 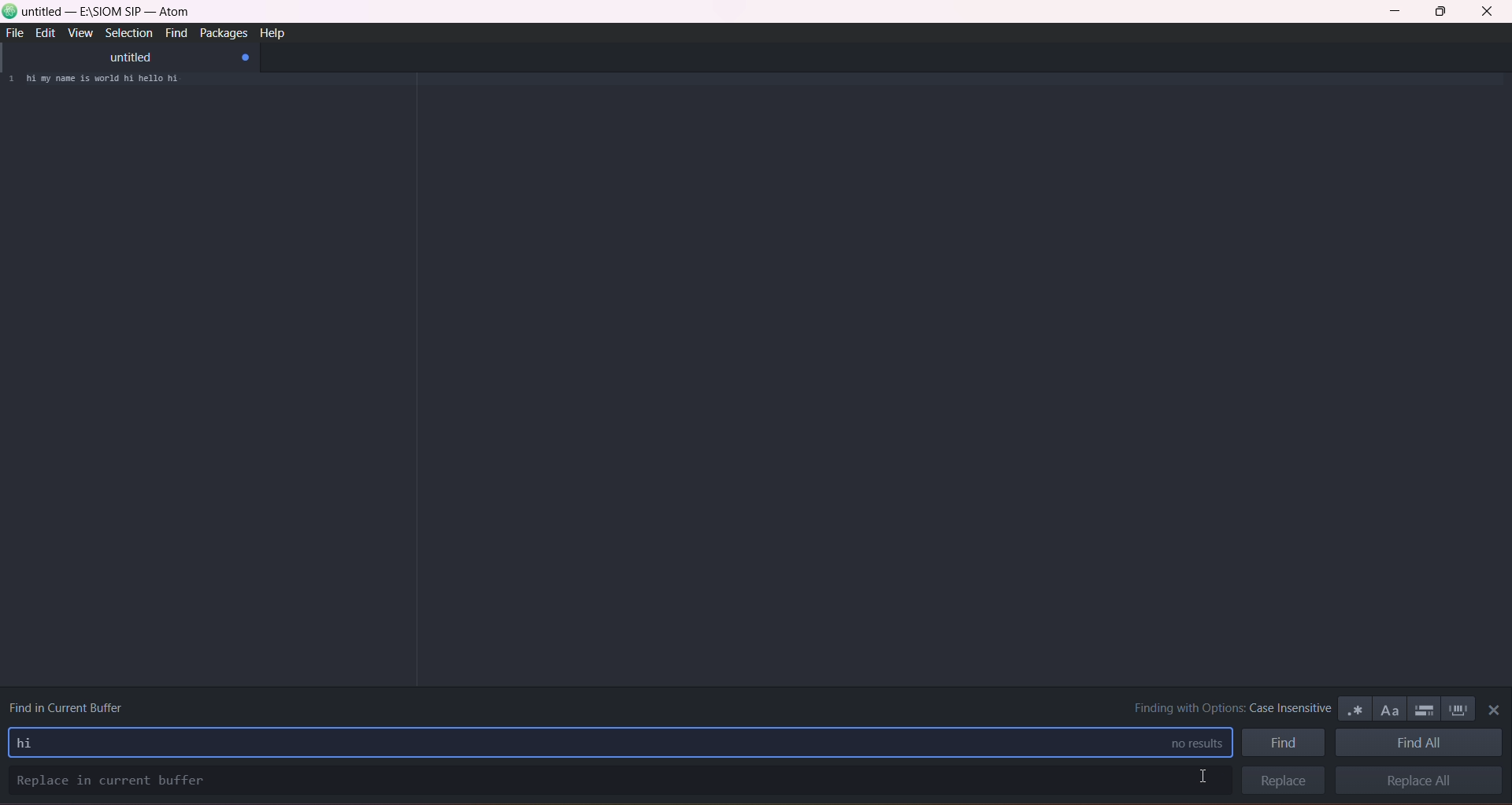 I want to click on only in selection, so click(x=1421, y=707).